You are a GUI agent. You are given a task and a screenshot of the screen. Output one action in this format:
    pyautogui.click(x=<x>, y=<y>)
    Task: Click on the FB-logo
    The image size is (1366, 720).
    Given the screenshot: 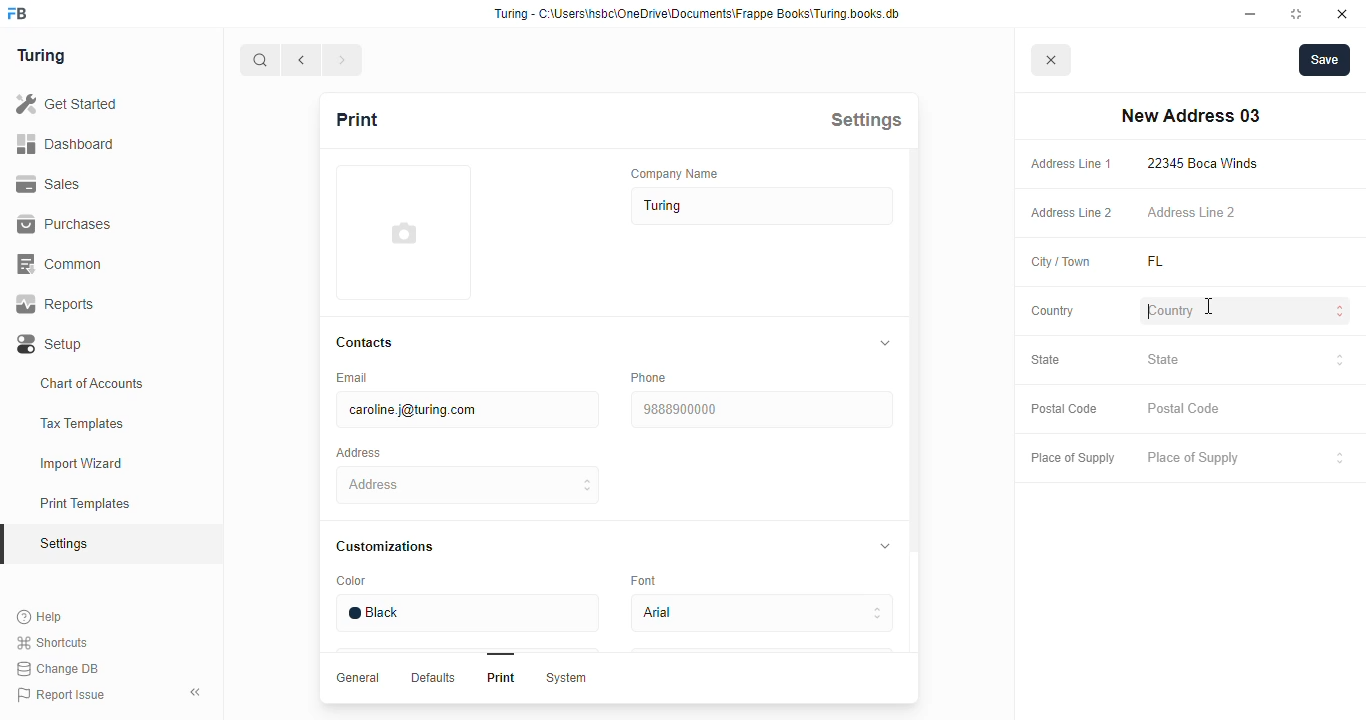 What is the action you would take?
    pyautogui.click(x=17, y=13)
    